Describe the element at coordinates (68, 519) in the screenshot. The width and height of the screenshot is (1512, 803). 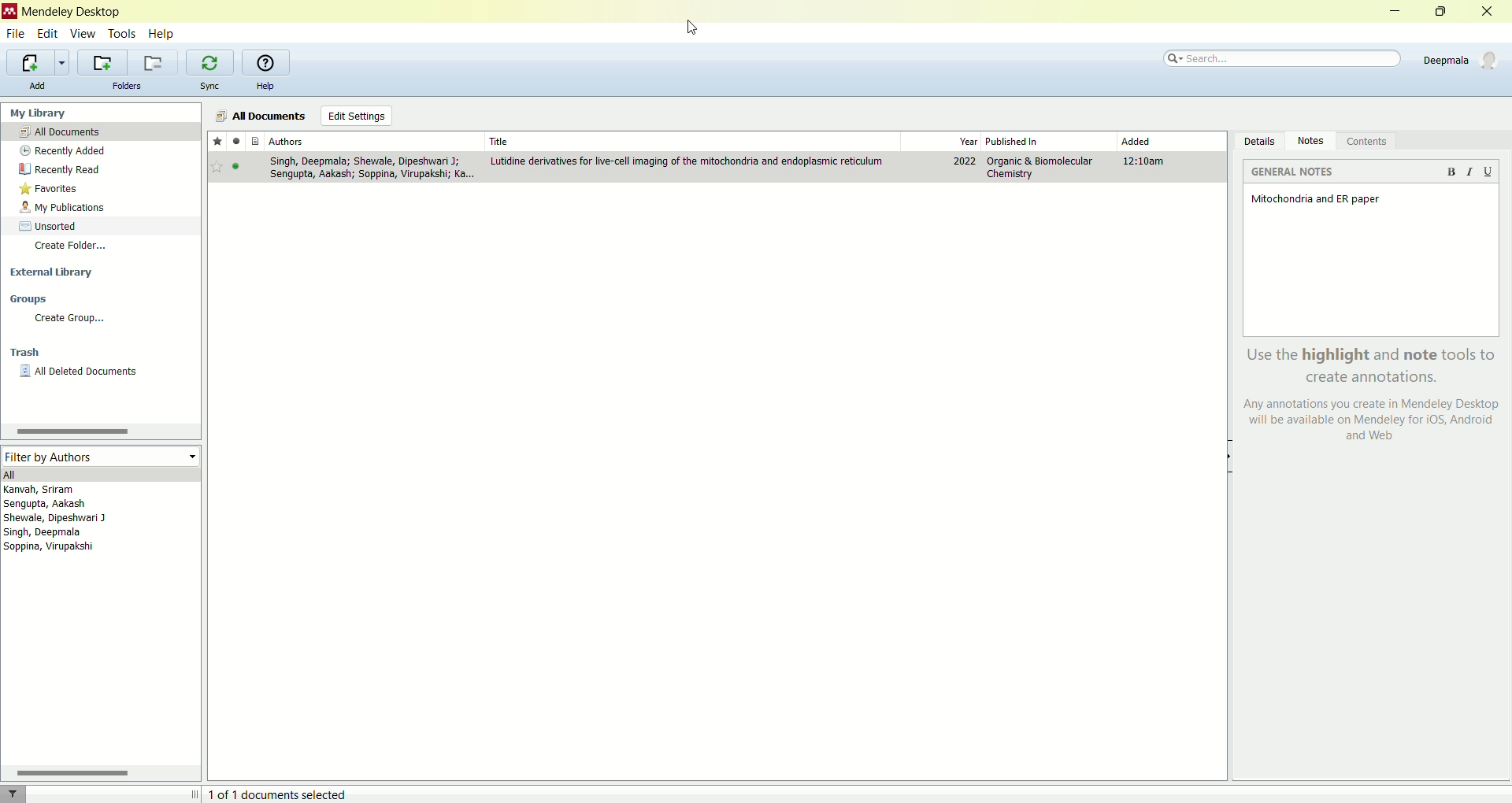
I see `Shewale, Dipeshwari J` at that location.